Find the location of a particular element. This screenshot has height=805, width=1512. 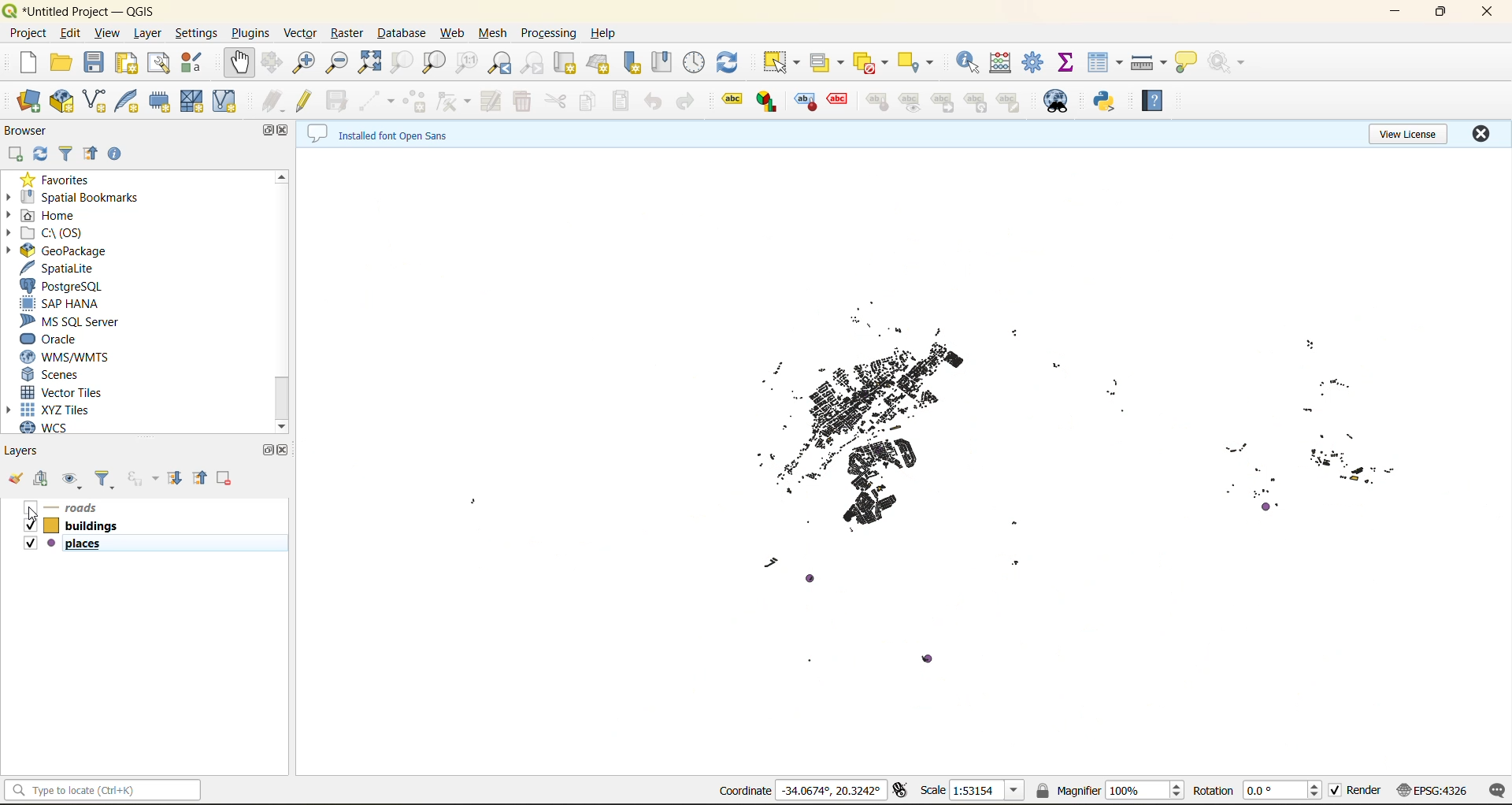

select is located at coordinates (784, 65).